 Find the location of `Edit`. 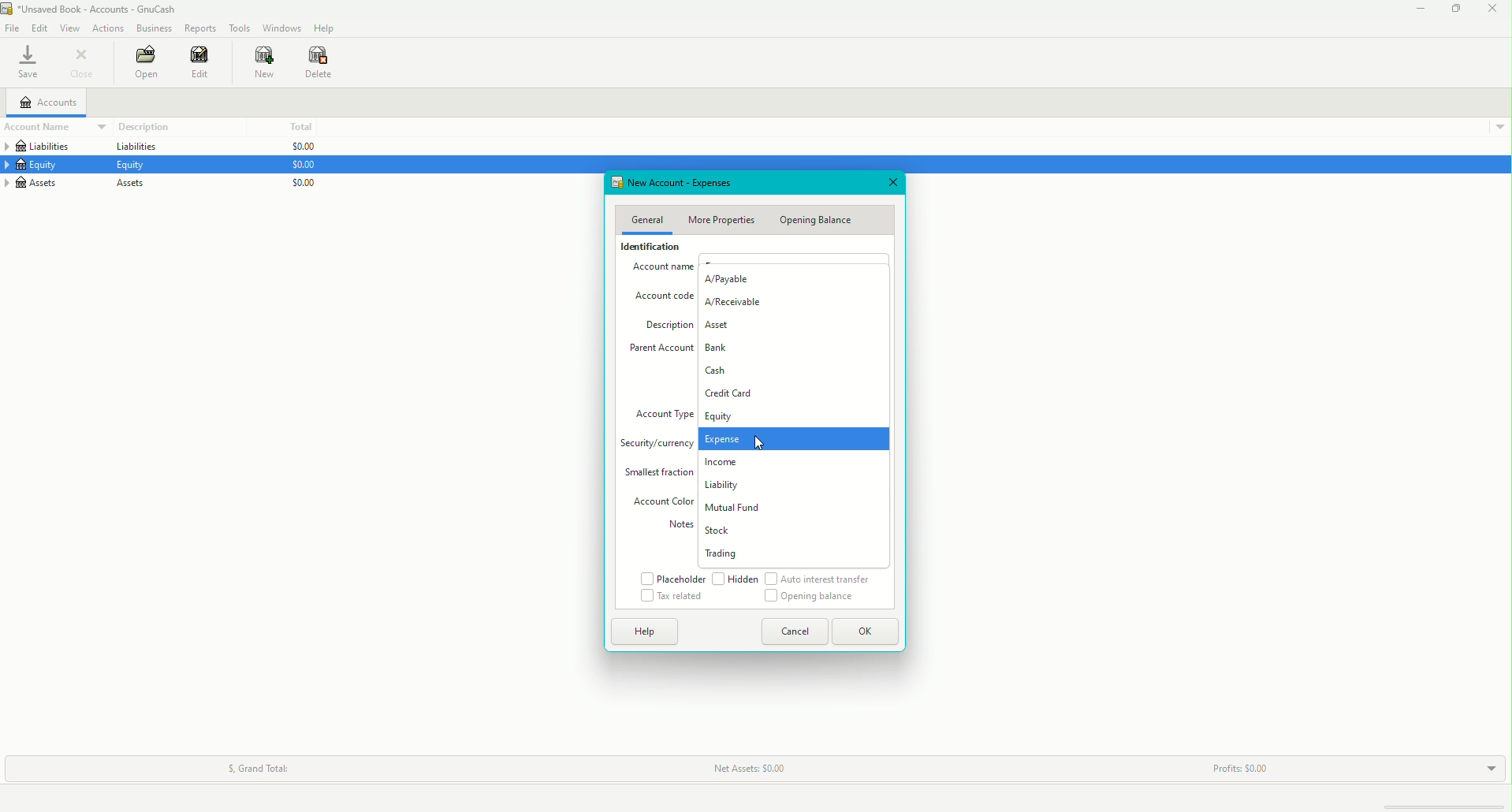

Edit is located at coordinates (37, 26).